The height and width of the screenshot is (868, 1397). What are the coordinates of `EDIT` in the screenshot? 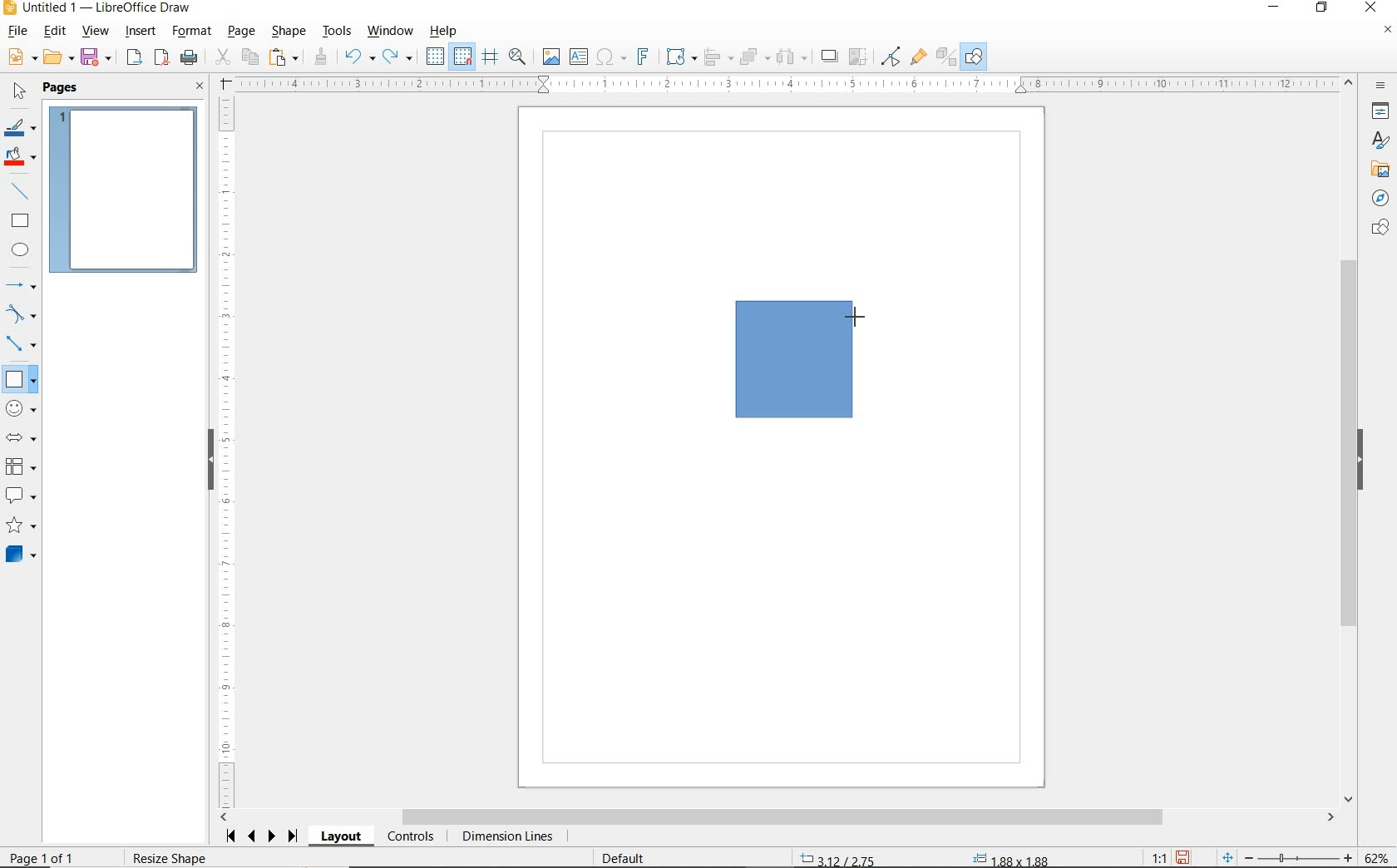 It's located at (55, 31).